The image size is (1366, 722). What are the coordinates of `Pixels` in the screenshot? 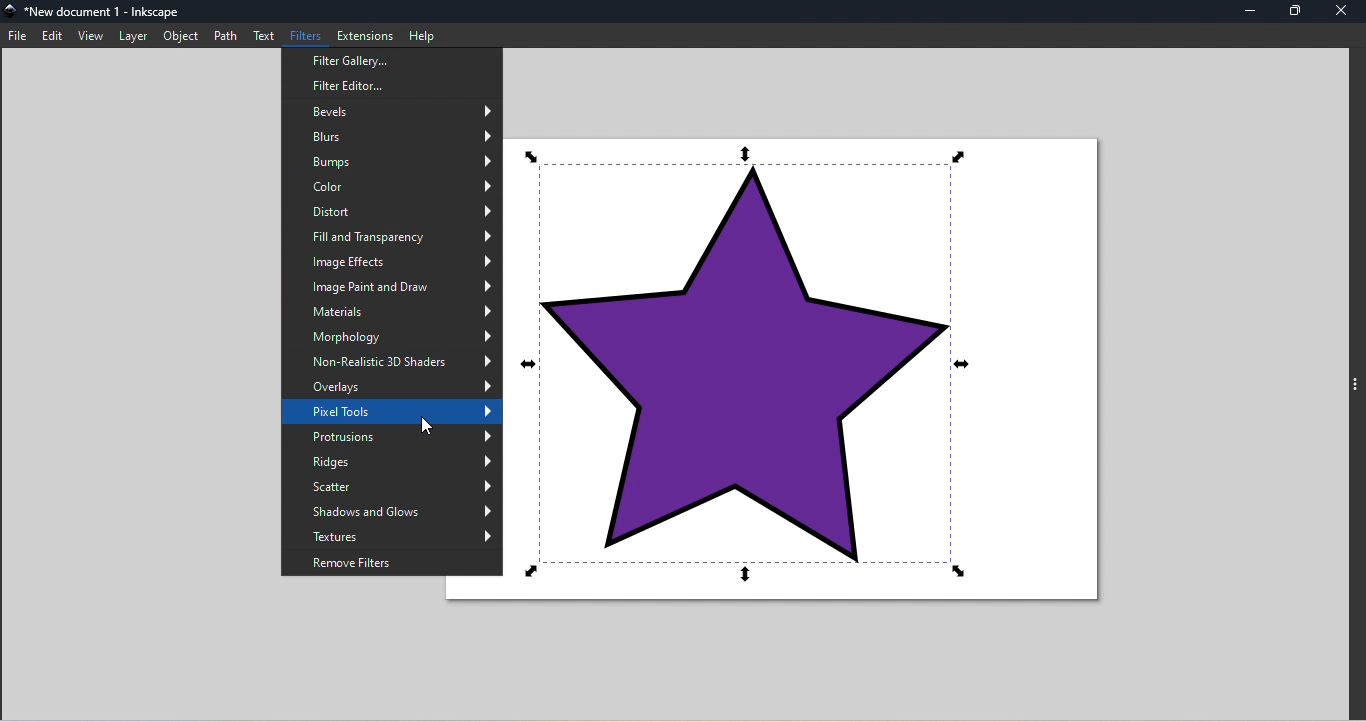 It's located at (390, 412).